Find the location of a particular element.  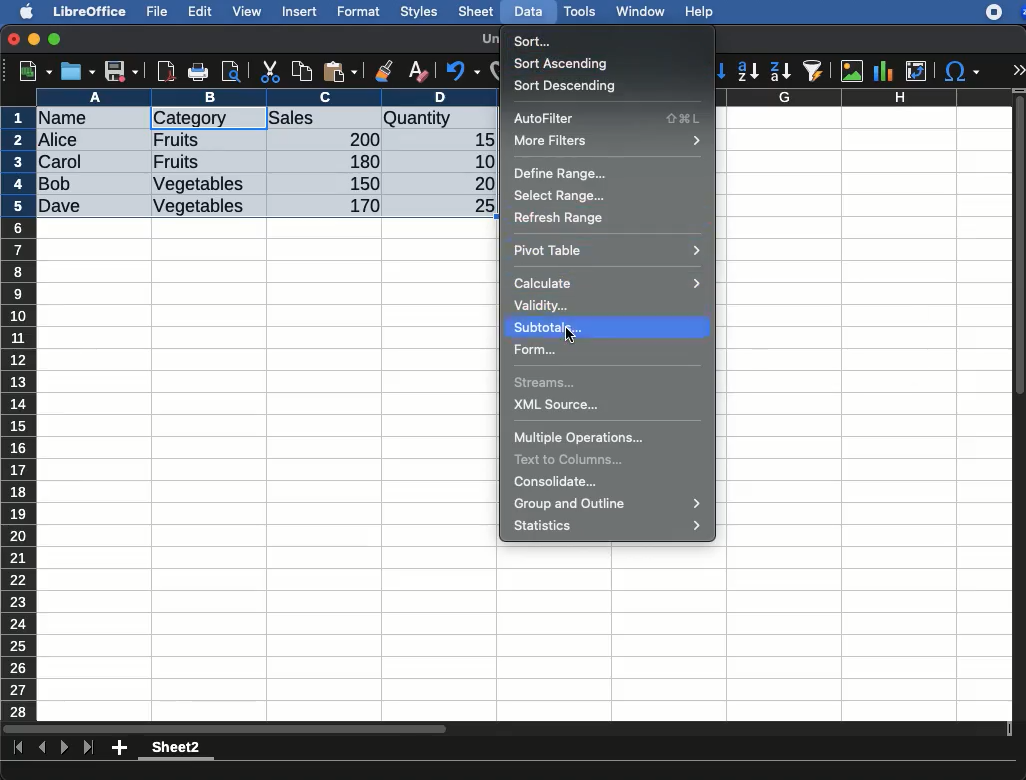

form is located at coordinates (537, 350).